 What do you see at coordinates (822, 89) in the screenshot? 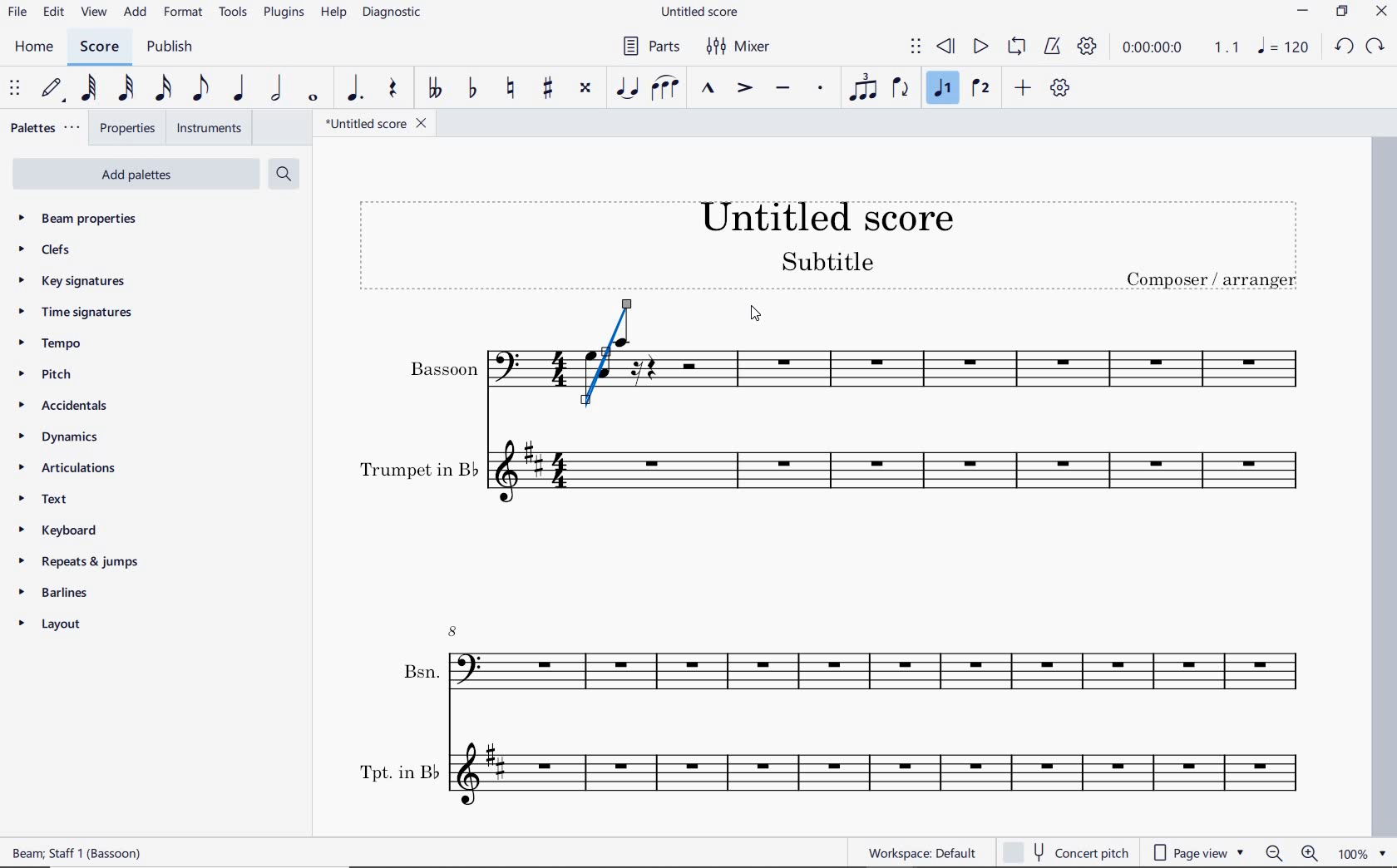
I see `staccato` at bounding box center [822, 89].